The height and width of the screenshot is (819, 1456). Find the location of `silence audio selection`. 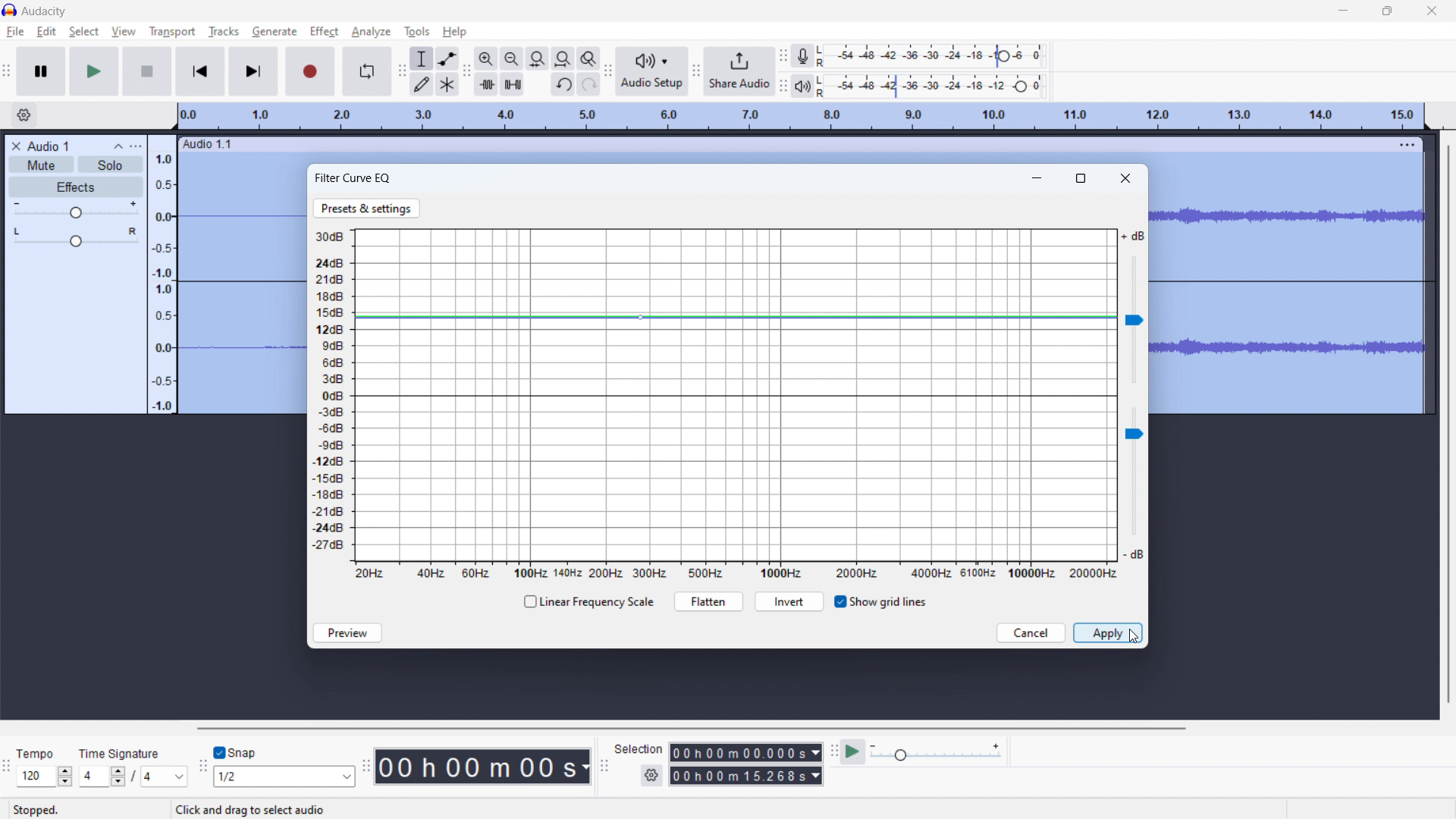

silence audio selection is located at coordinates (513, 84).